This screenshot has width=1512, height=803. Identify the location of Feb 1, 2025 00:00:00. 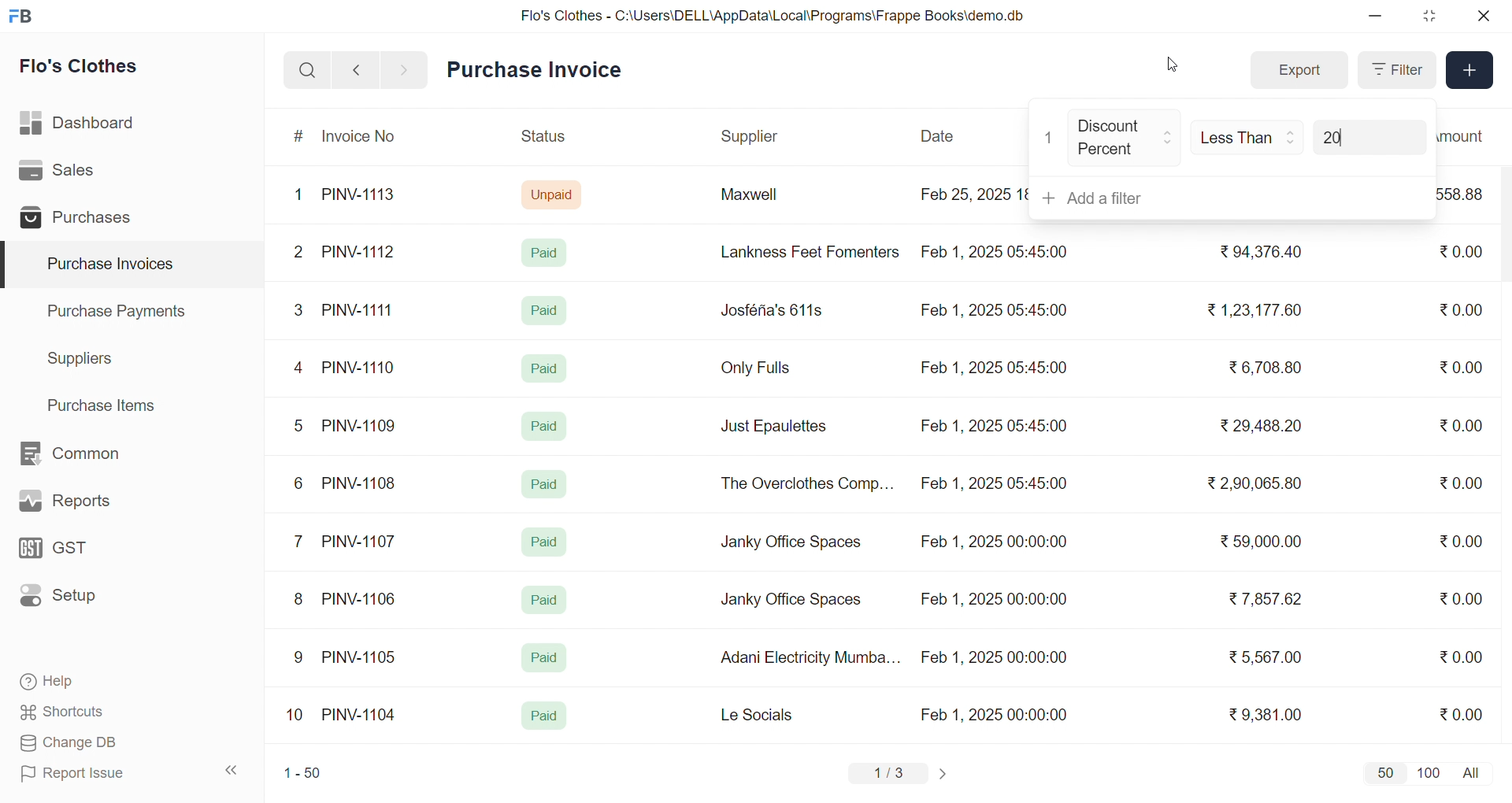
(991, 597).